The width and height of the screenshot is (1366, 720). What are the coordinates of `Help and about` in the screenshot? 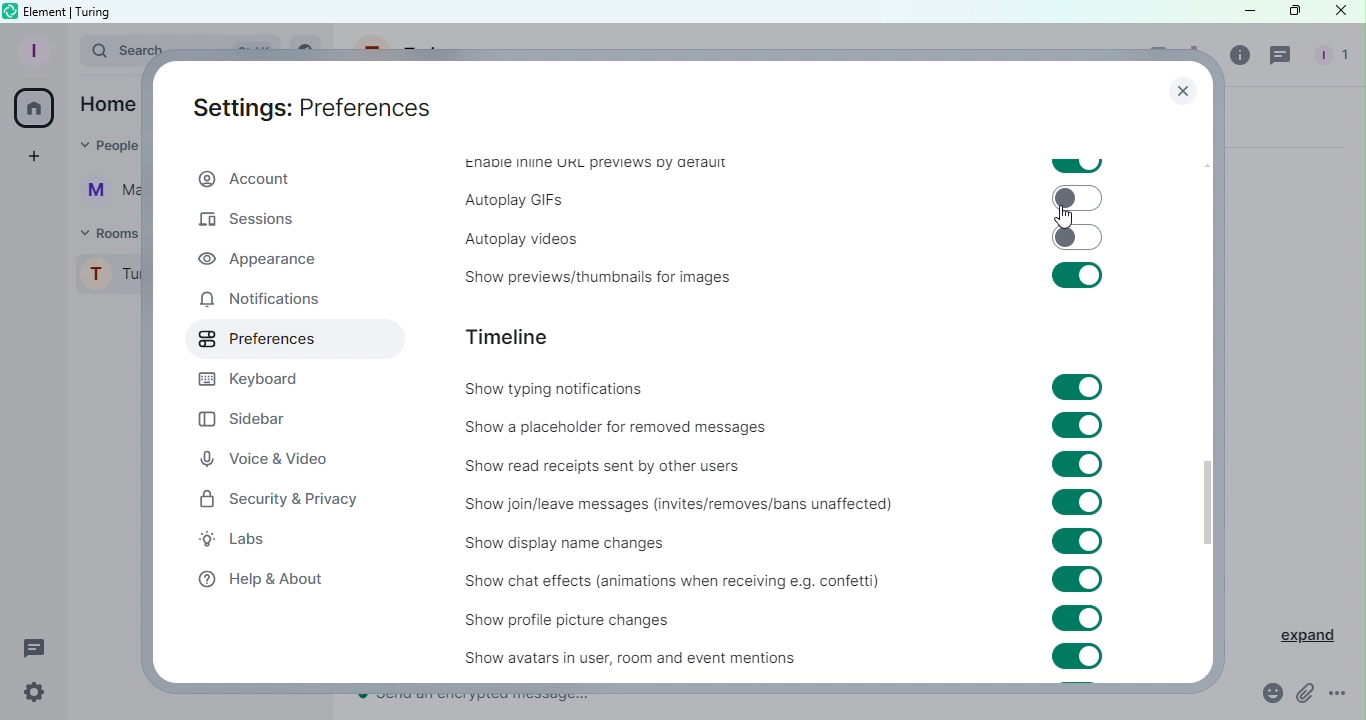 It's located at (262, 580).